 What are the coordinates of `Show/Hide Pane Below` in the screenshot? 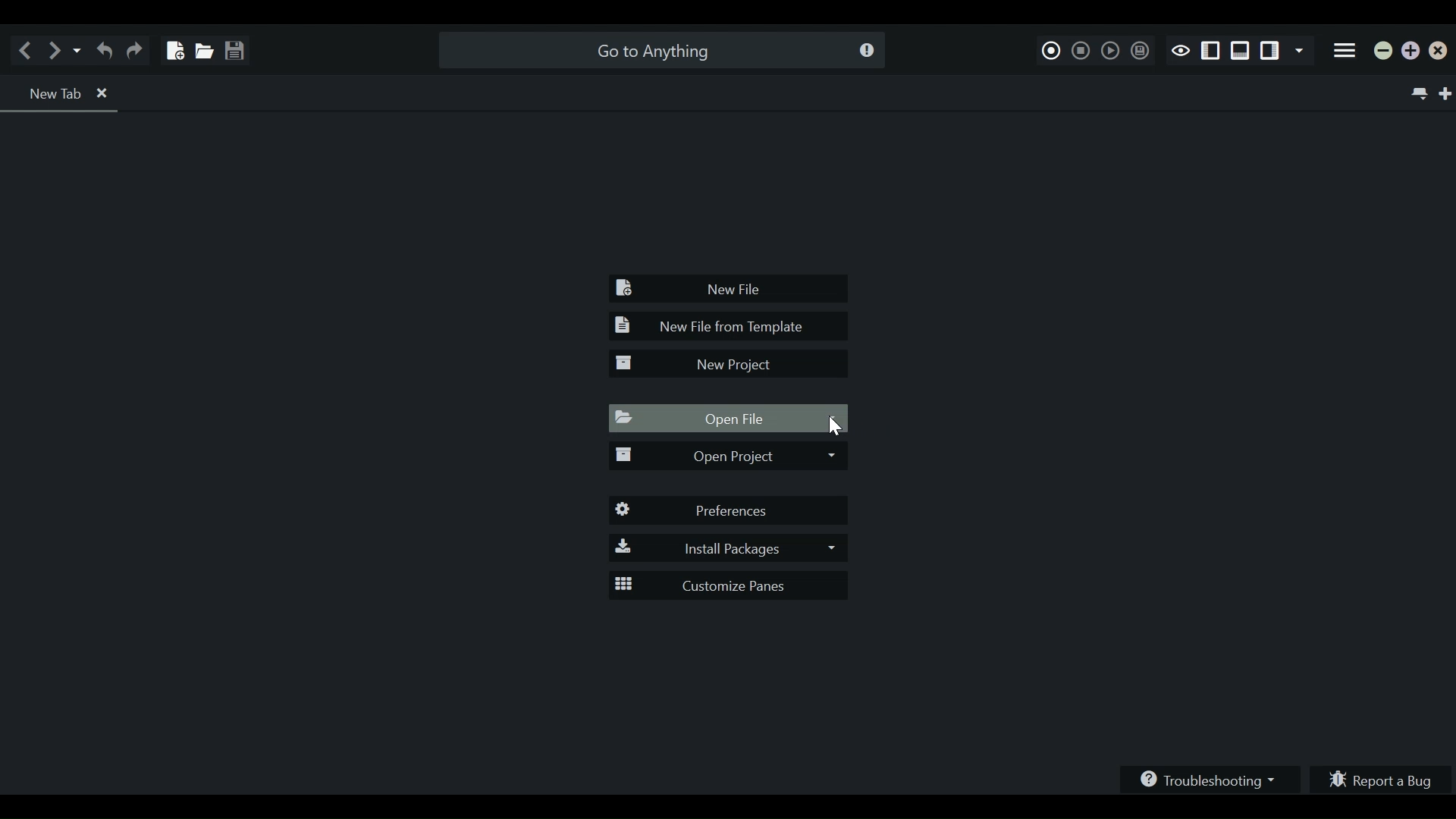 It's located at (1239, 52).